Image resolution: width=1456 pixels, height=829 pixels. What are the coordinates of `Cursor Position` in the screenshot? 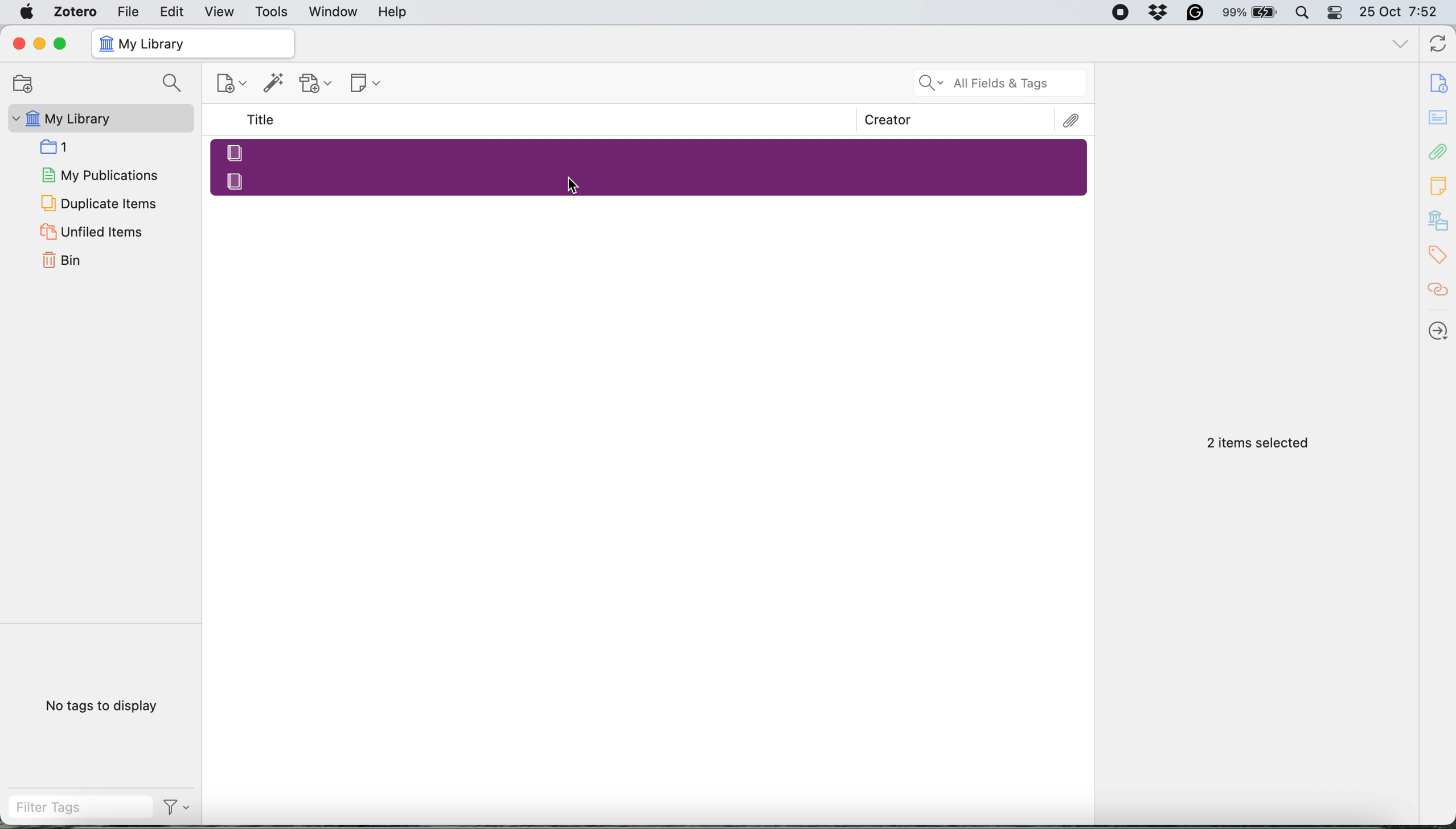 It's located at (572, 186).